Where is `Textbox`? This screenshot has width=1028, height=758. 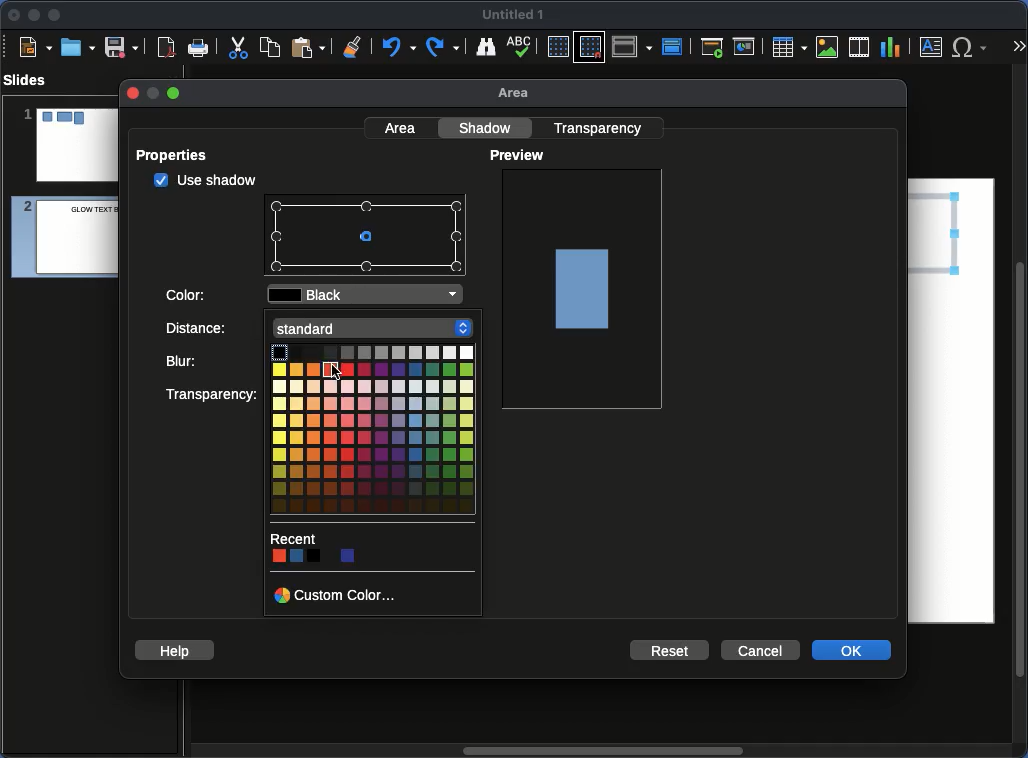
Textbox is located at coordinates (932, 46).